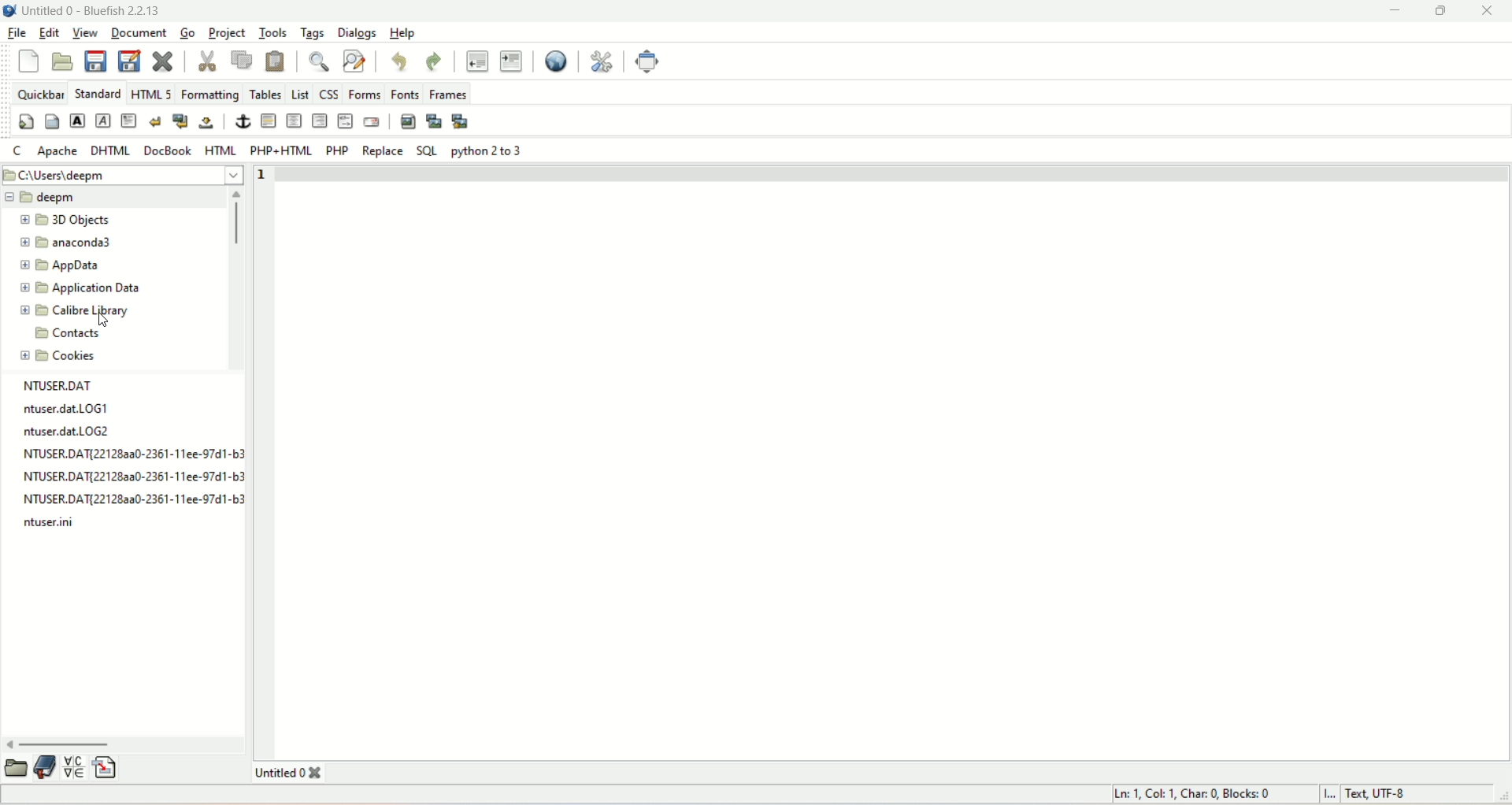 The height and width of the screenshot is (805, 1512). Describe the element at coordinates (645, 61) in the screenshot. I see `Fullscreen` at that location.